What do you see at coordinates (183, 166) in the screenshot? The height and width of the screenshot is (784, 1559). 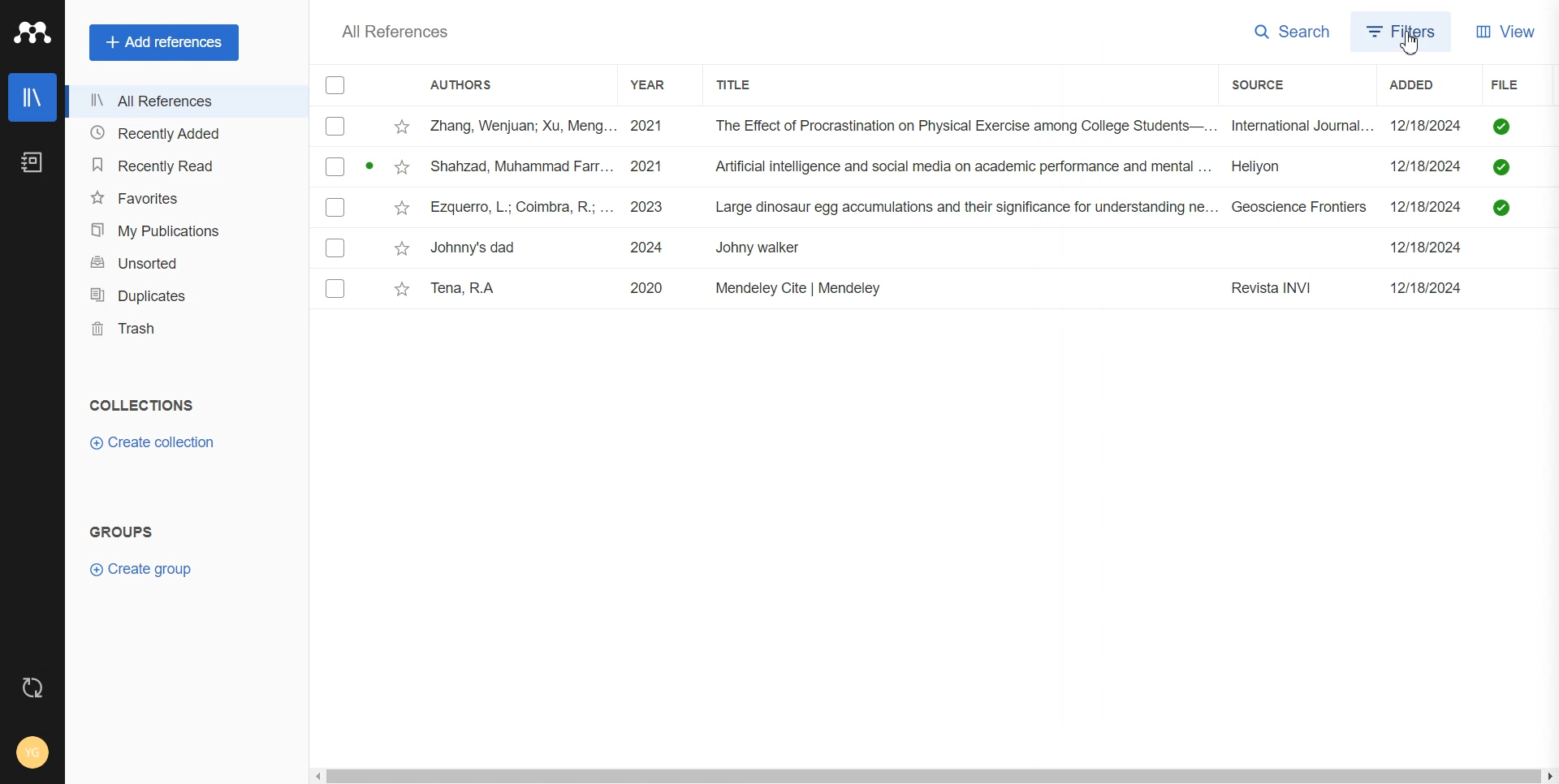 I see `Recently Read` at bounding box center [183, 166].